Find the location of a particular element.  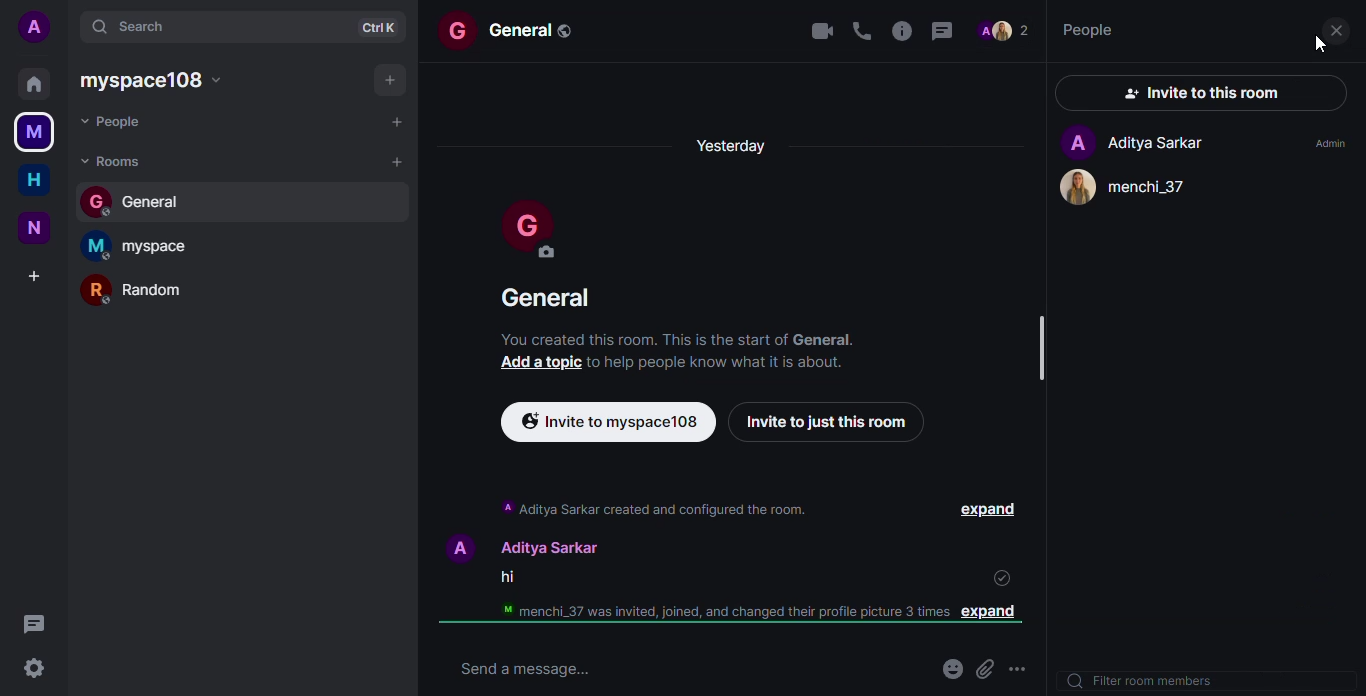

to help people know what it is about. is located at coordinates (728, 365).